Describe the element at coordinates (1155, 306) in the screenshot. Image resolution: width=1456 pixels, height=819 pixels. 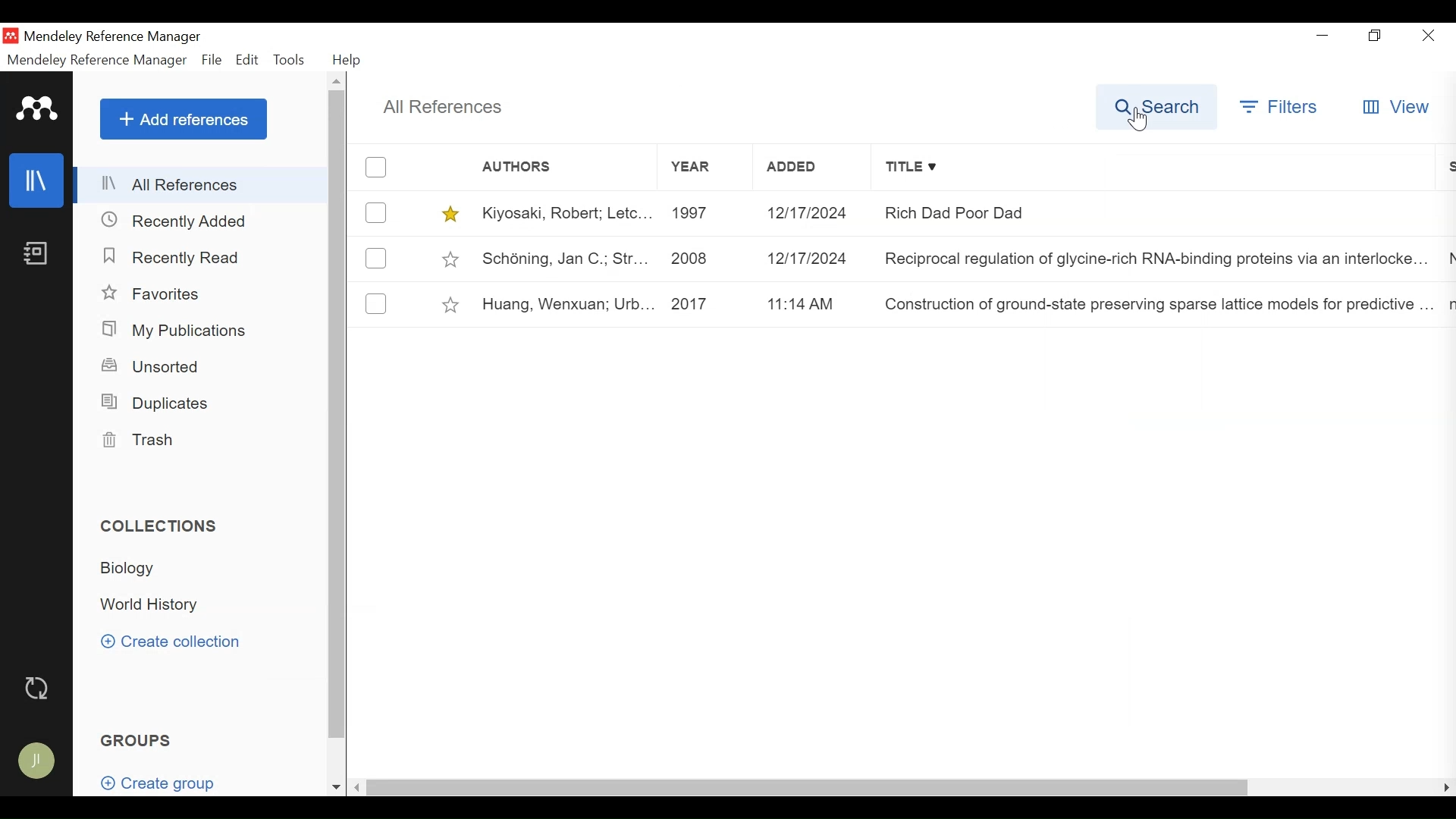
I see `Construction of ground-state preserving sparse lattice models for predictive` at that location.